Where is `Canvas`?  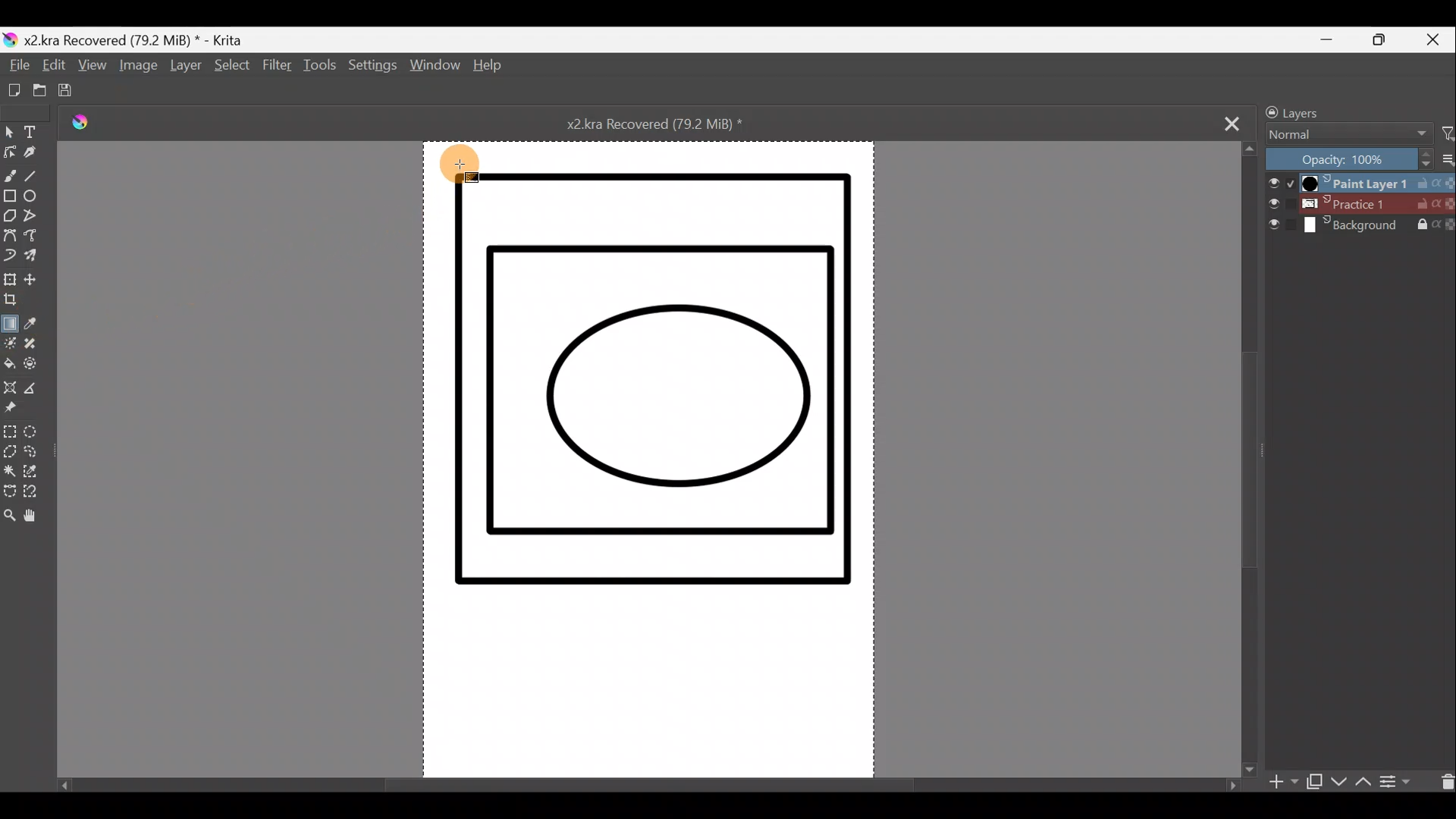 Canvas is located at coordinates (649, 454).